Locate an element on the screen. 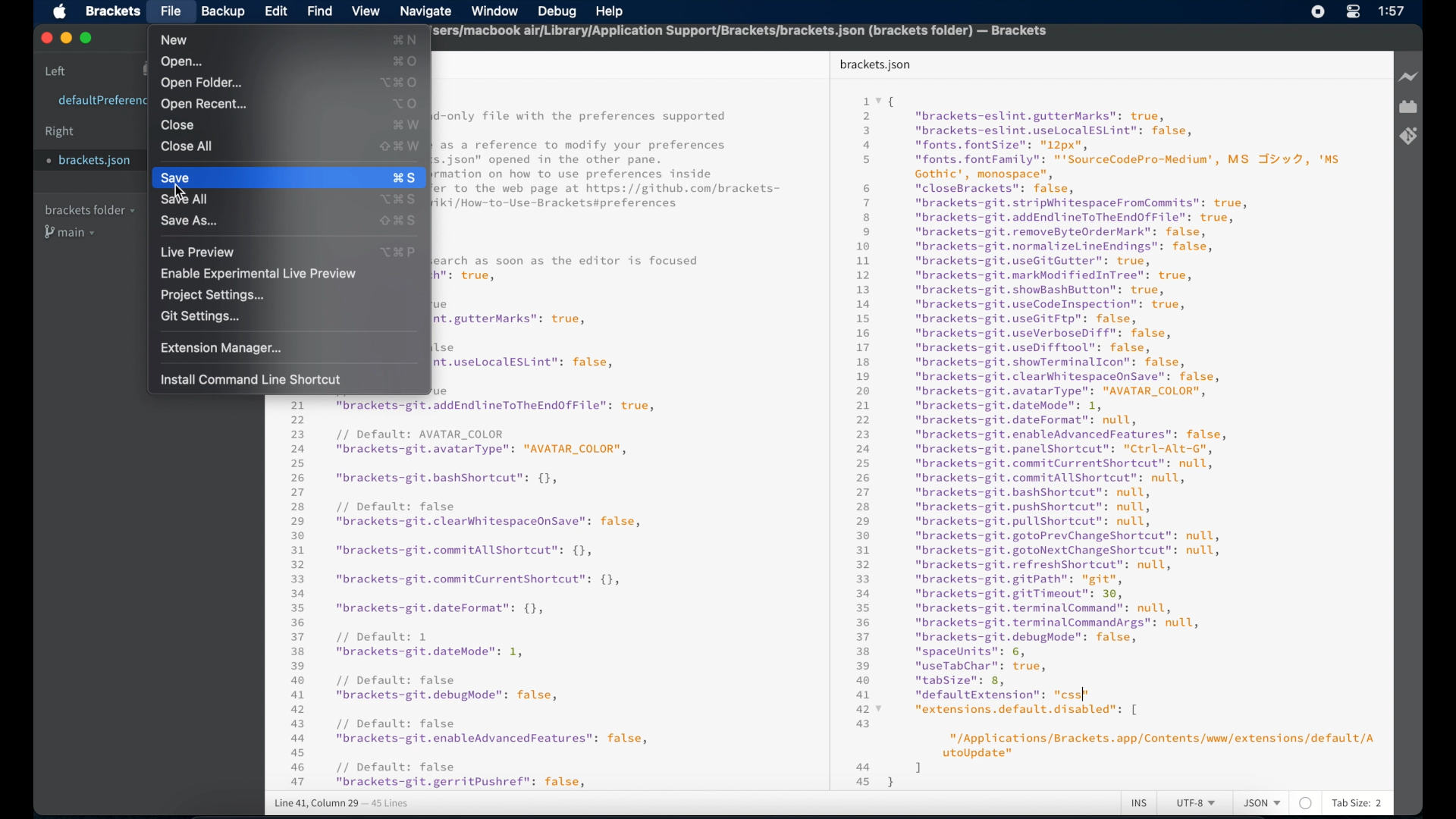  control center is located at coordinates (1353, 12).